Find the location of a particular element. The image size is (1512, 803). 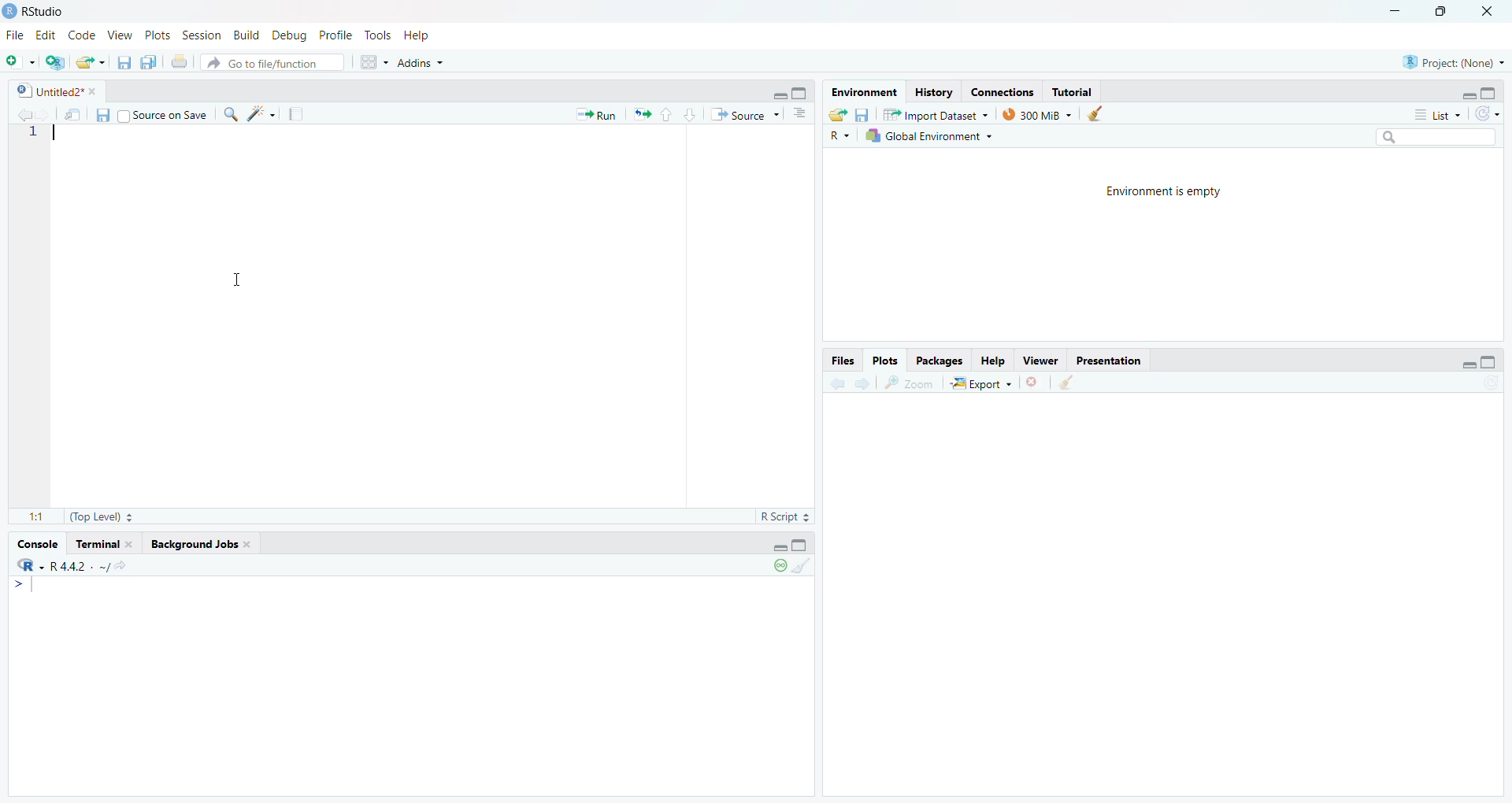

Source on Save is located at coordinates (162, 116).